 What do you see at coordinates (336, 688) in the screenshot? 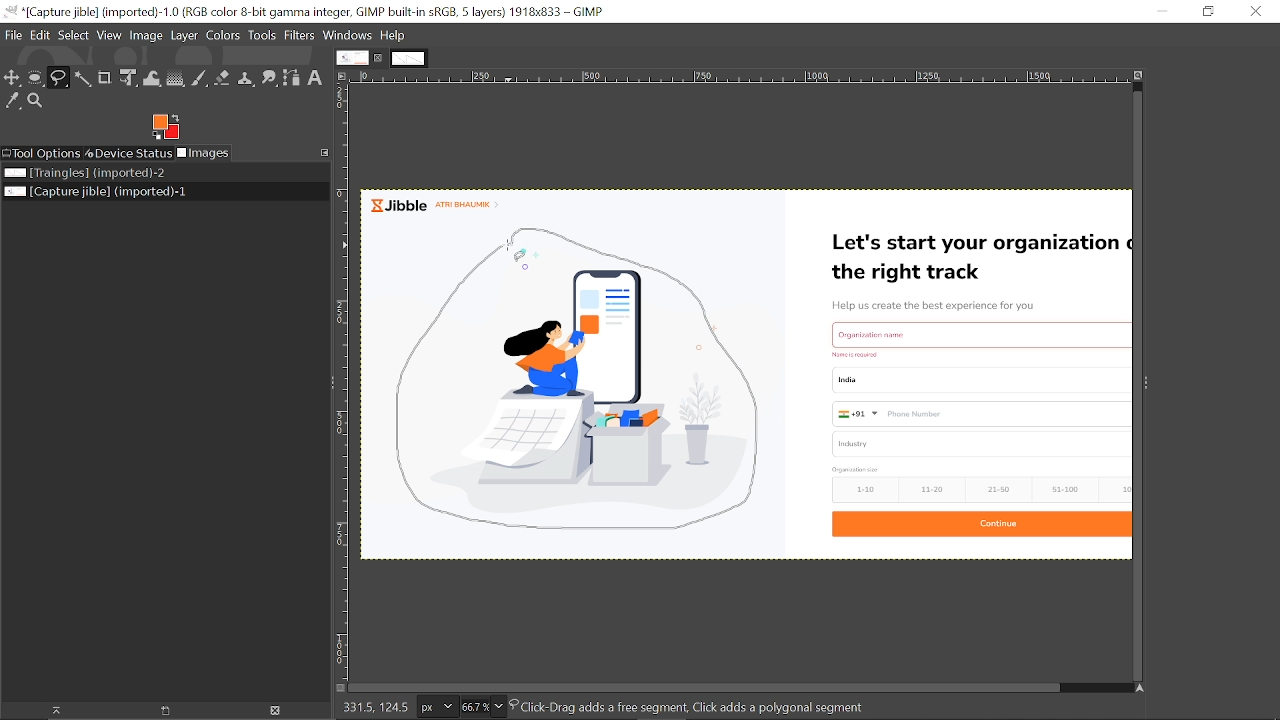
I see `Toggle quick mask on/off` at bounding box center [336, 688].